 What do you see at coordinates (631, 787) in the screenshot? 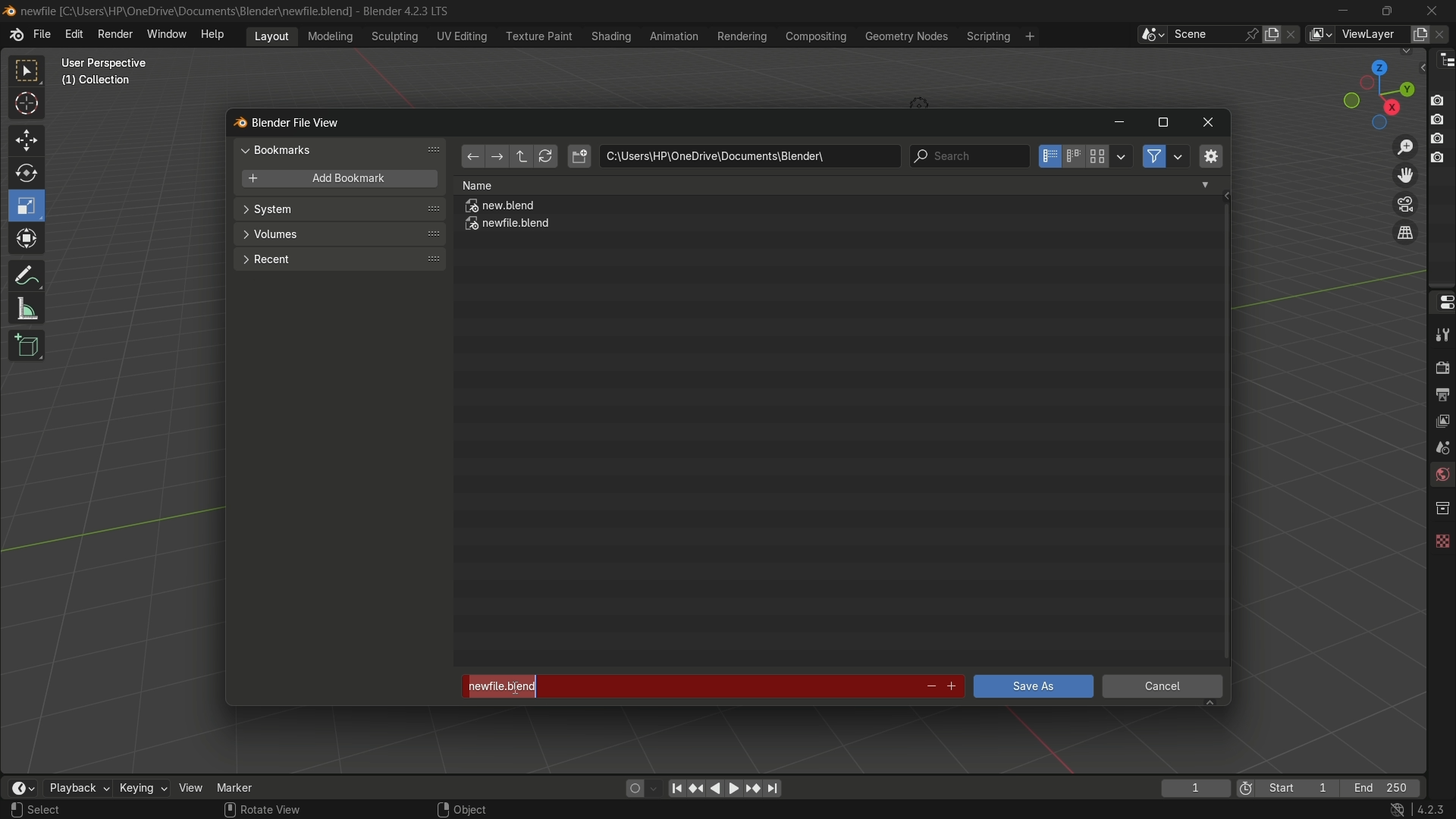
I see `auto keying` at bounding box center [631, 787].